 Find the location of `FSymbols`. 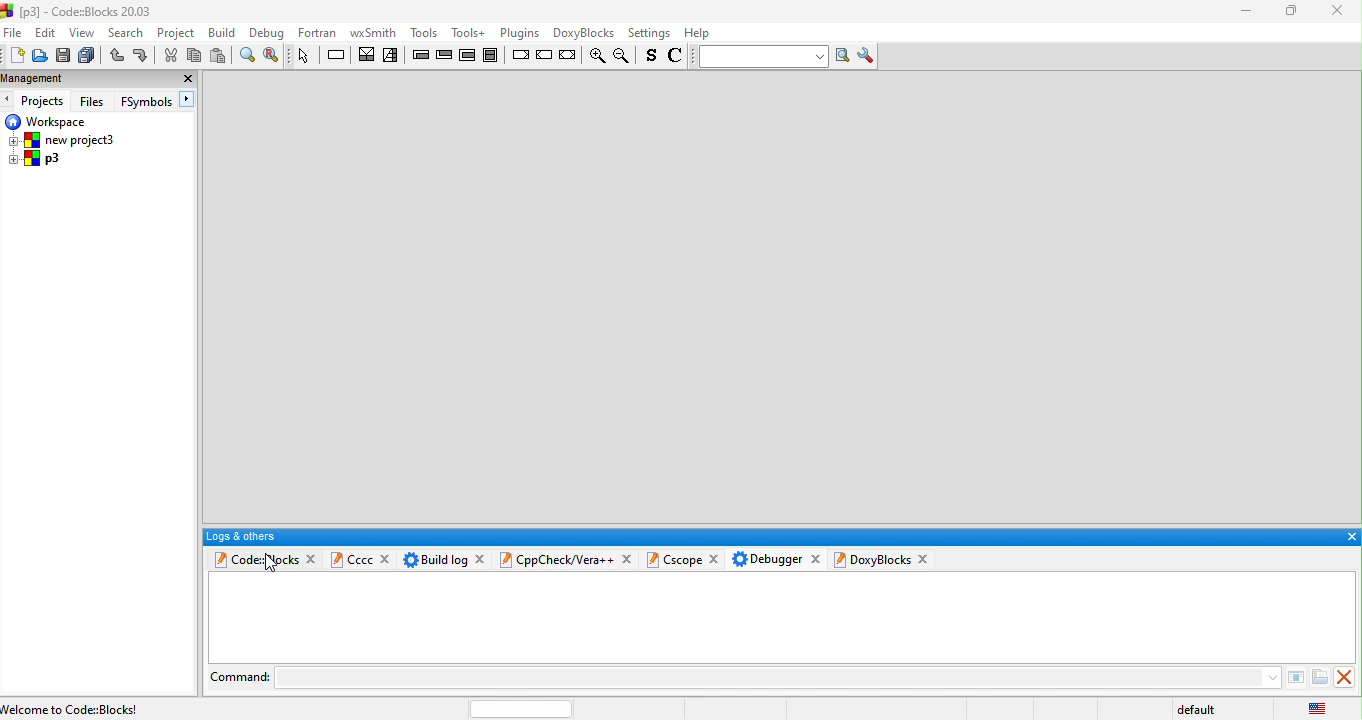

FSymbols is located at coordinates (146, 102).